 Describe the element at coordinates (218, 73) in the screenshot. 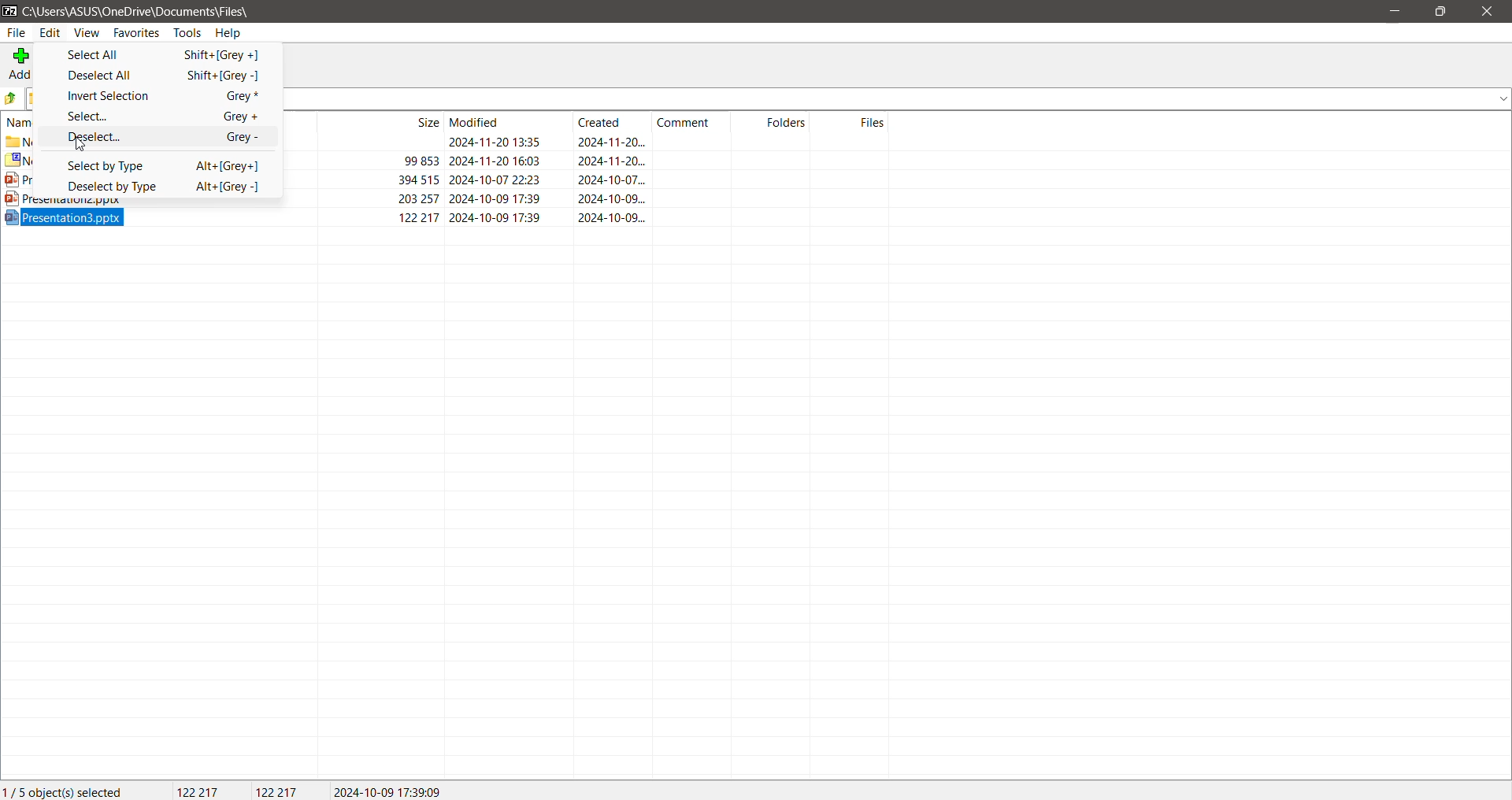

I see `Shift+[Grey -1` at that location.